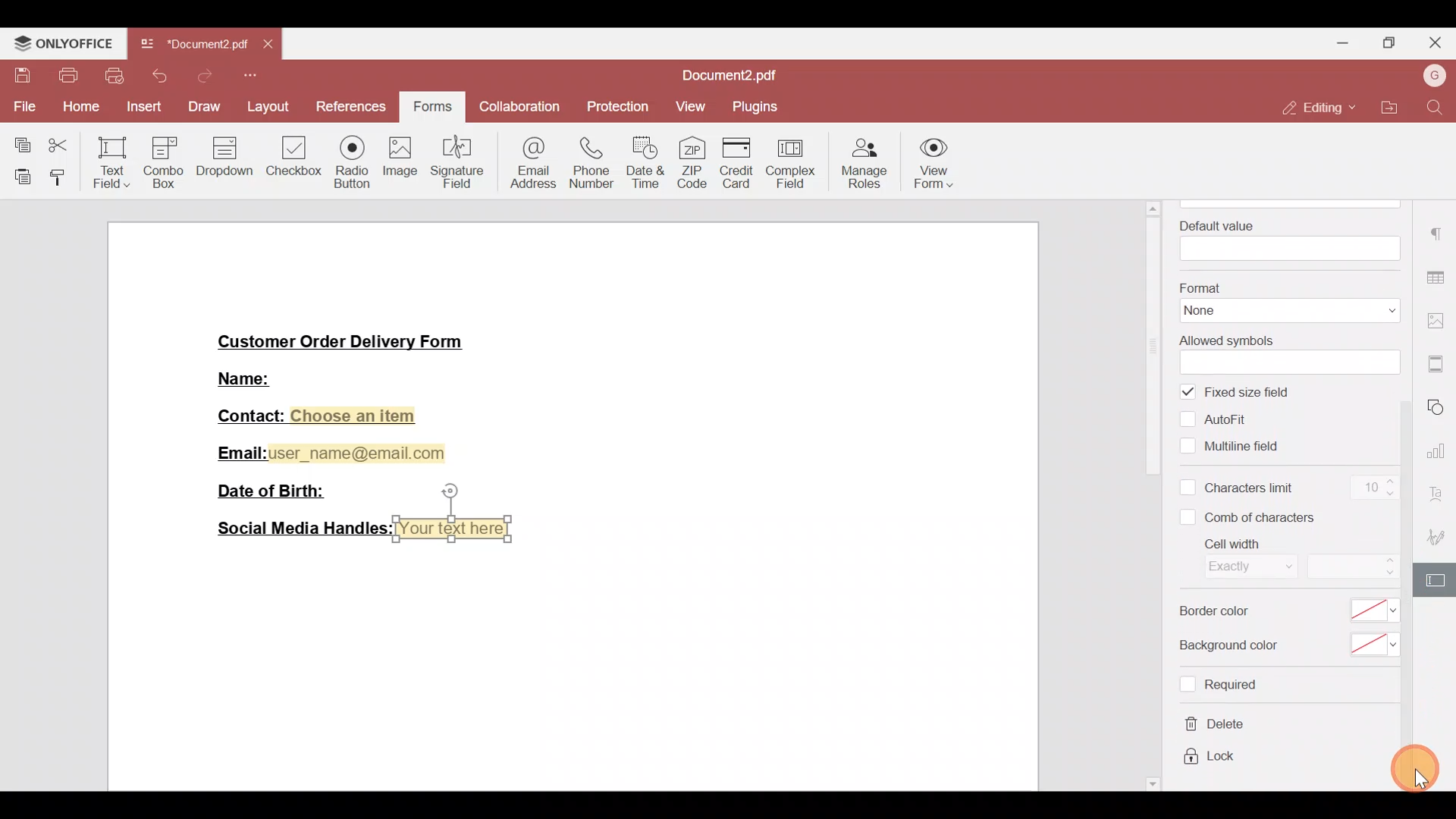 The width and height of the screenshot is (1456, 819). What do you see at coordinates (162, 76) in the screenshot?
I see `Undo` at bounding box center [162, 76].